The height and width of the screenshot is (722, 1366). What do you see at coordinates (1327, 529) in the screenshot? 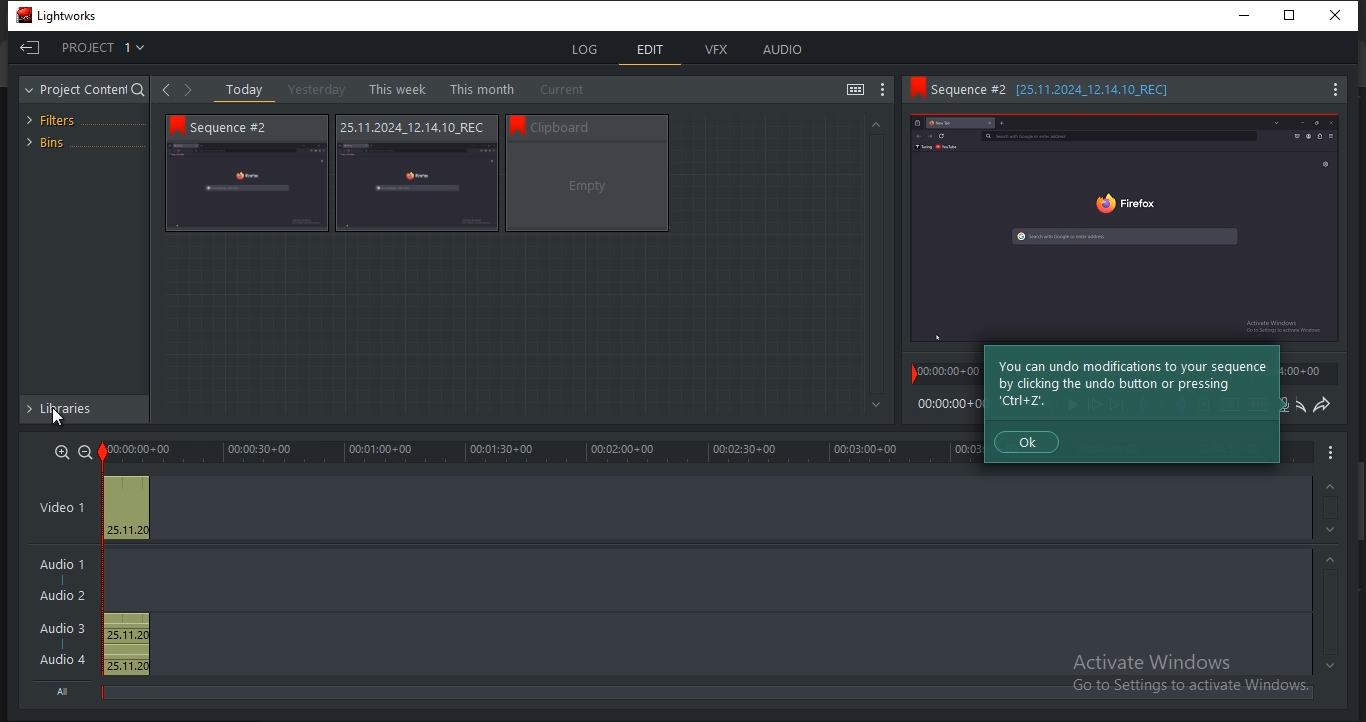
I see `timeline navigation up arrow` at bounding box center [1327, 529].